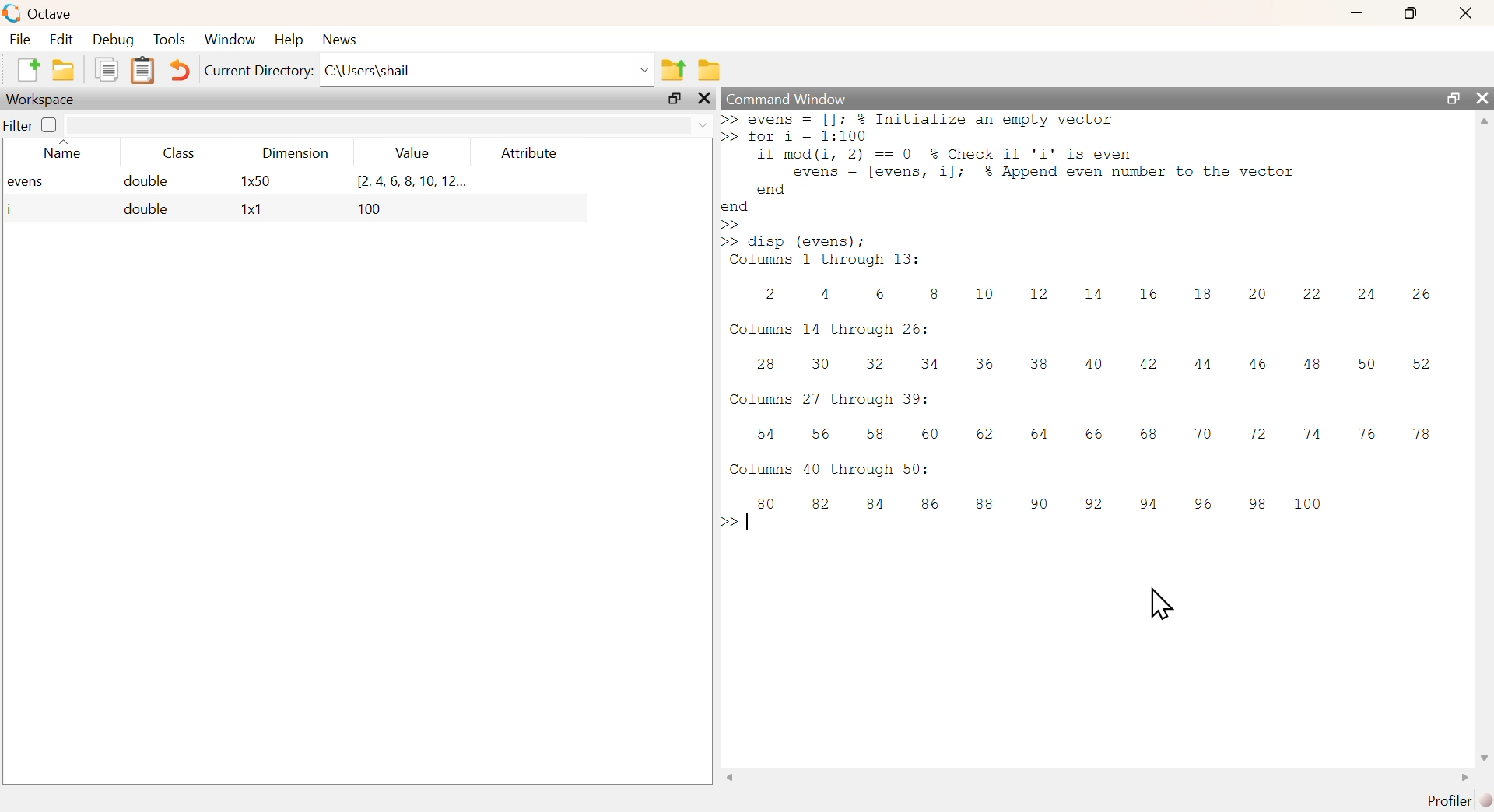 Image resolution: width=1494 pixels, height=812 pixels. What do you see at coordinates (291, 155) in the screenshot?
I see `dimension` at bounding box center [291, 155].